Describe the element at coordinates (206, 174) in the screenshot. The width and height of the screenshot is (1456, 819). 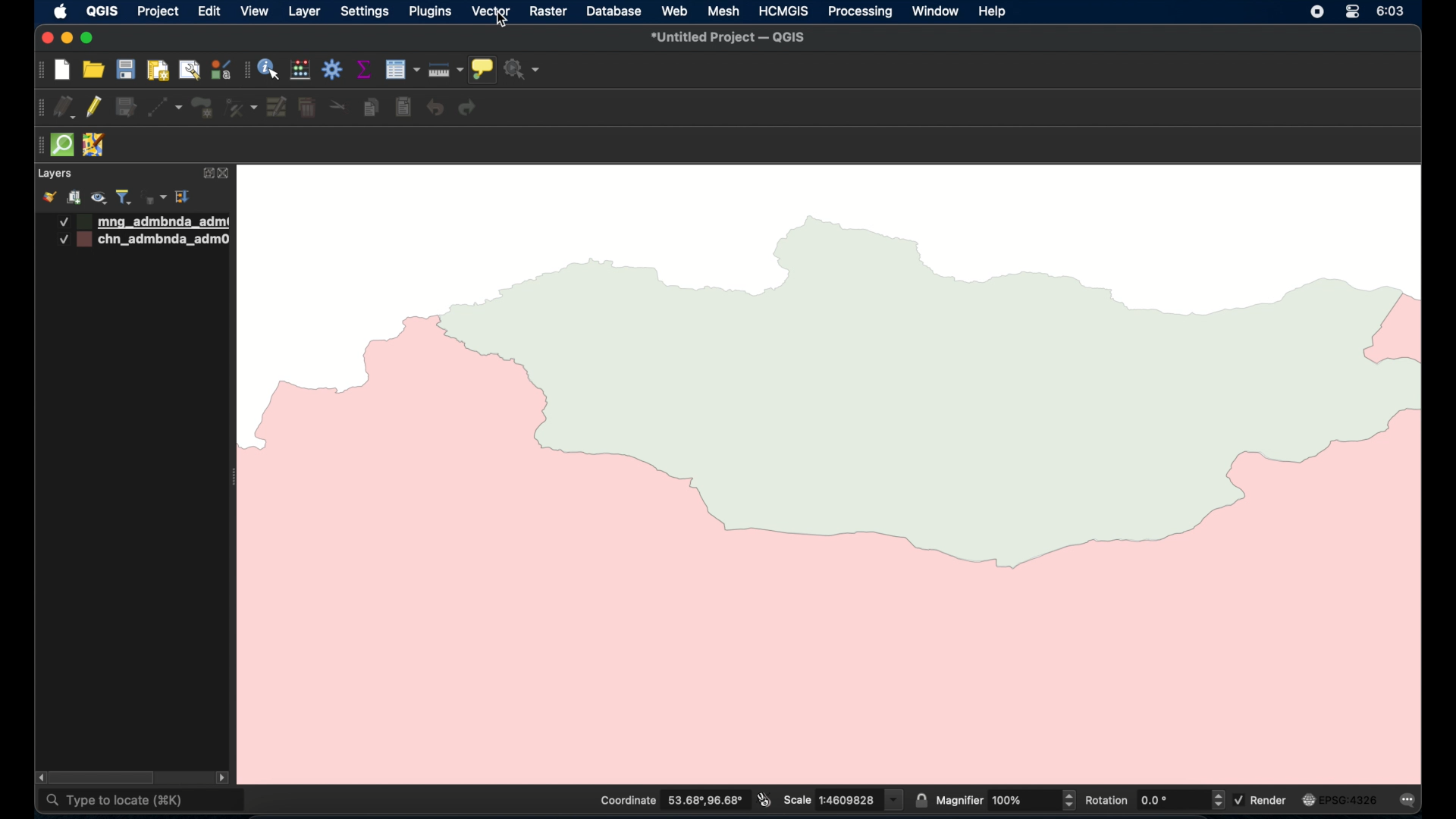
I see `expand` at that location.